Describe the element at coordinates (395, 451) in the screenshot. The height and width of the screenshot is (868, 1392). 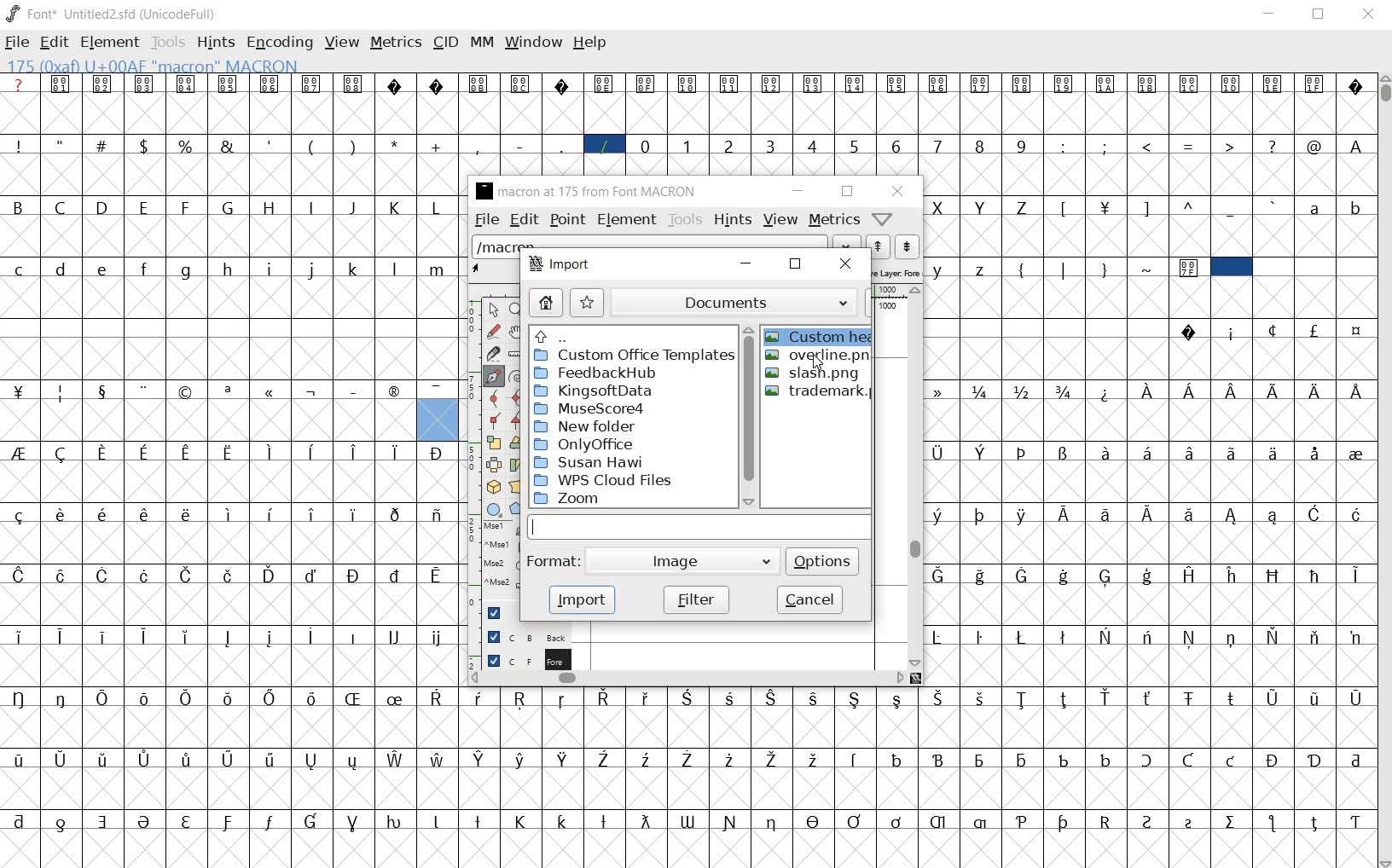
I see `Symbol` at that location.